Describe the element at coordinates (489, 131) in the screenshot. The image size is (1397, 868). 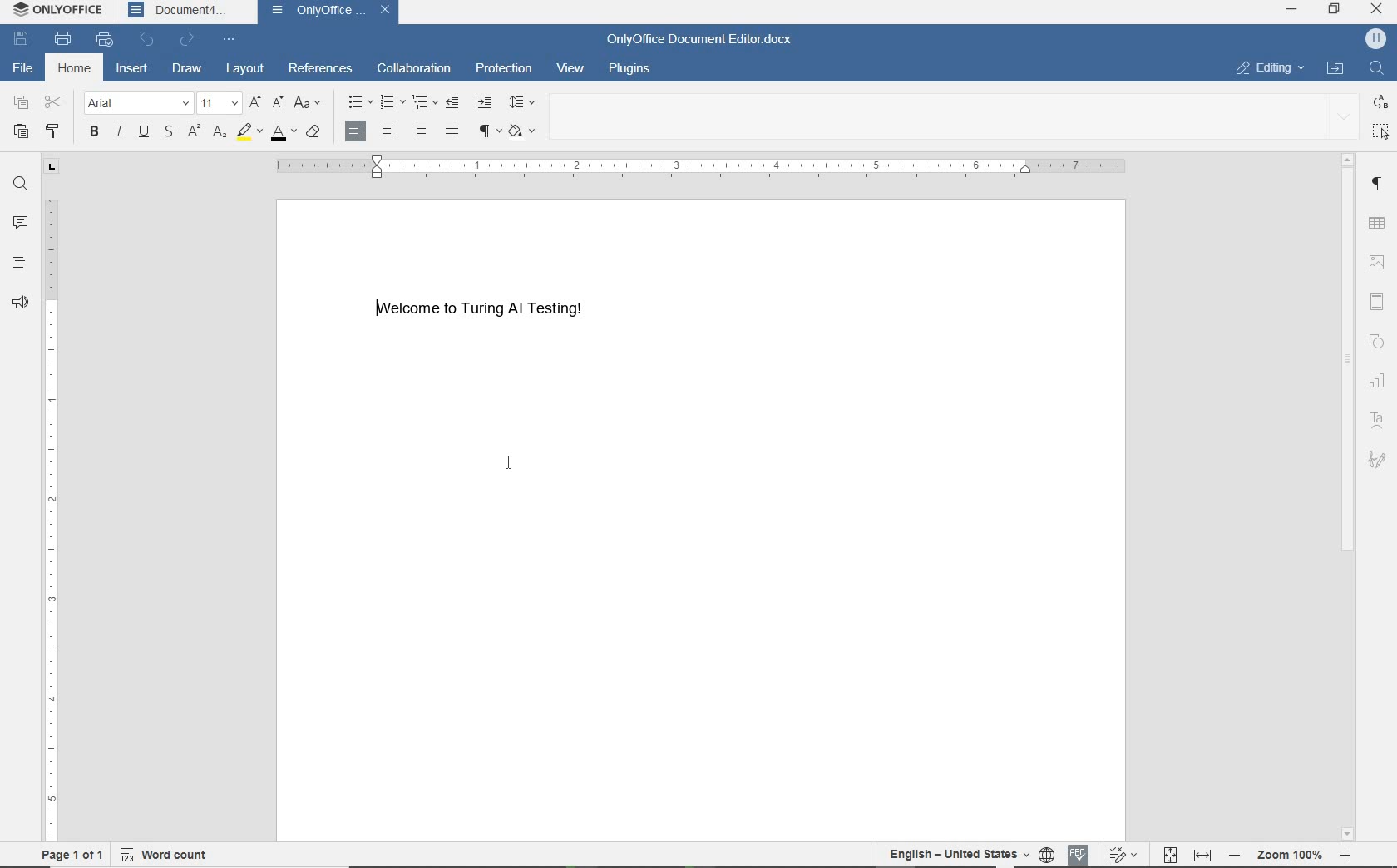
I see `nonprinting characters` at that location.